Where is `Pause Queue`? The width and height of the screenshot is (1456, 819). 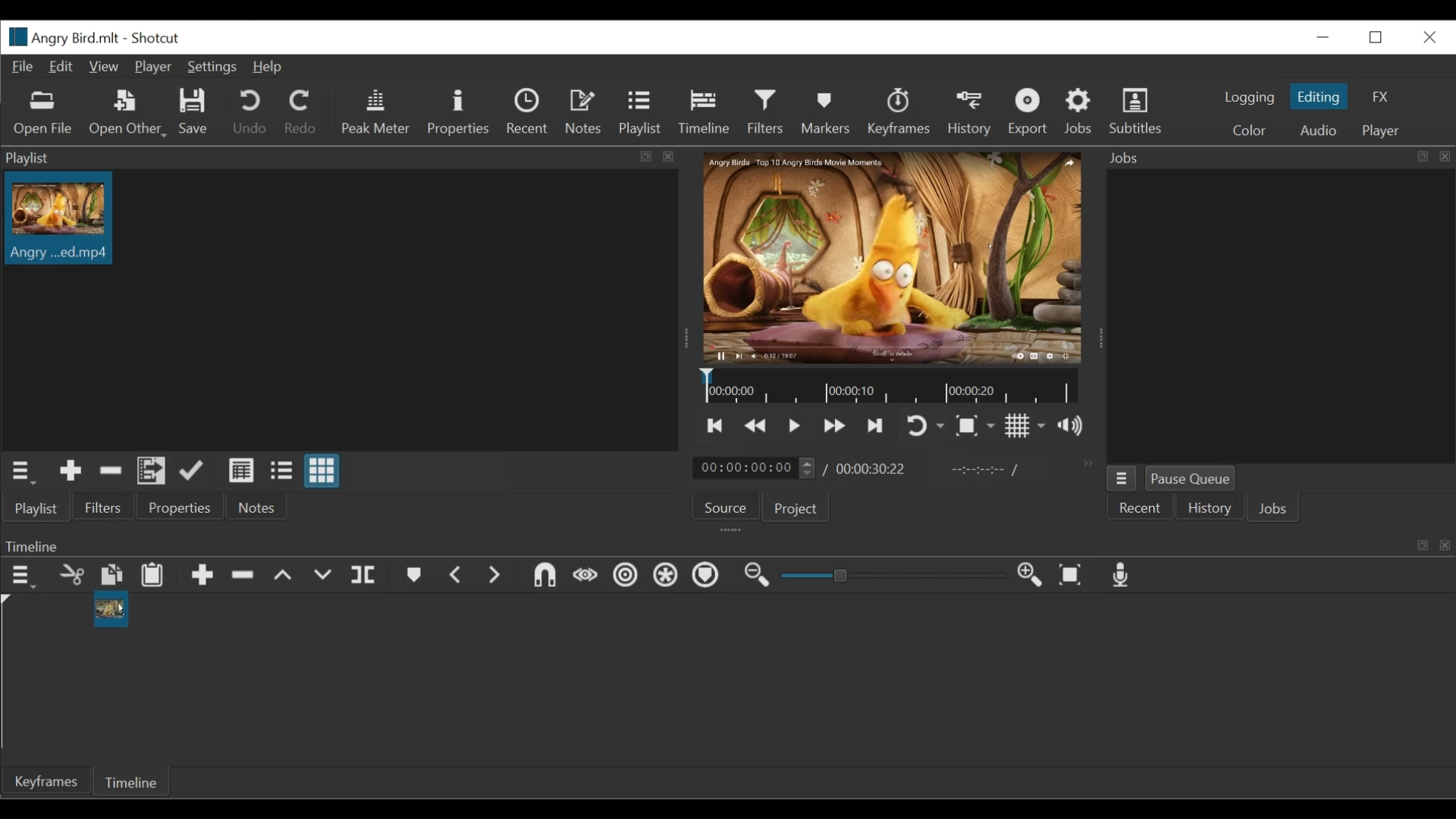 Pause Queue is located at coordinates (1193, 479).